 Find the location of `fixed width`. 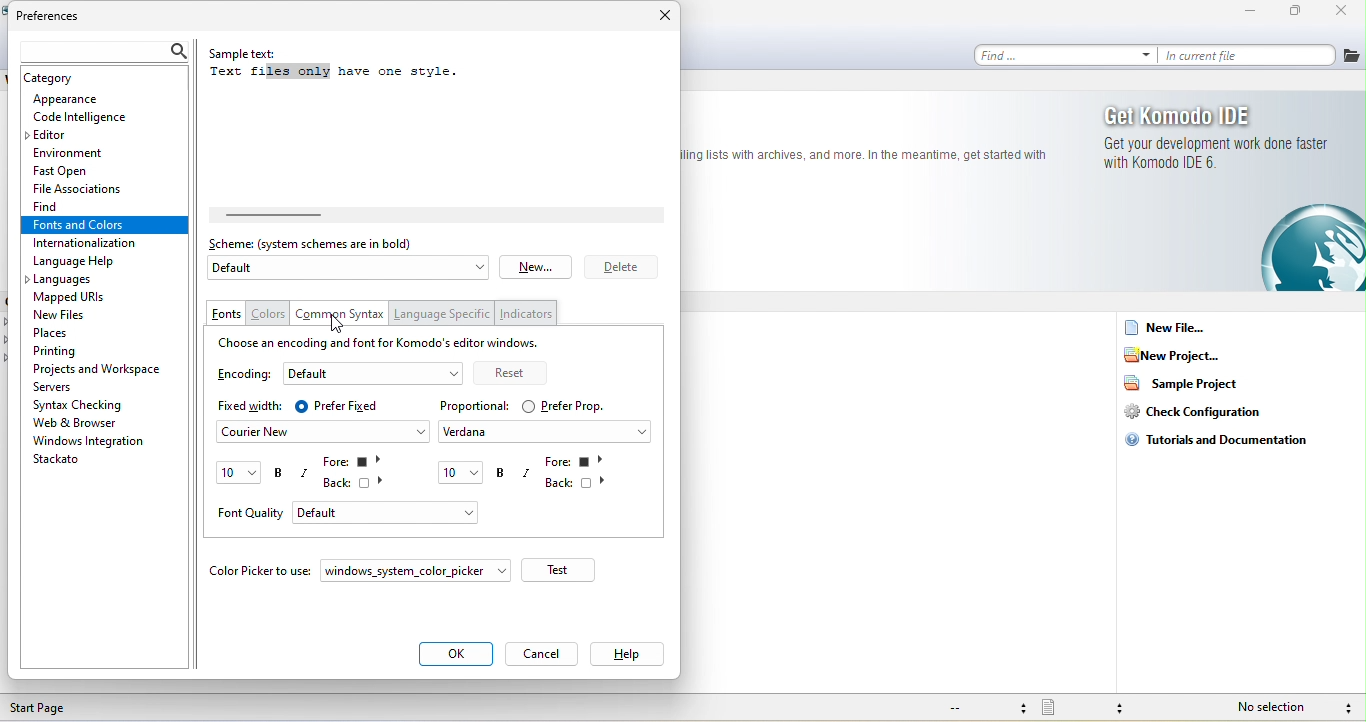

fixed width is located at coordinates (252, 404).